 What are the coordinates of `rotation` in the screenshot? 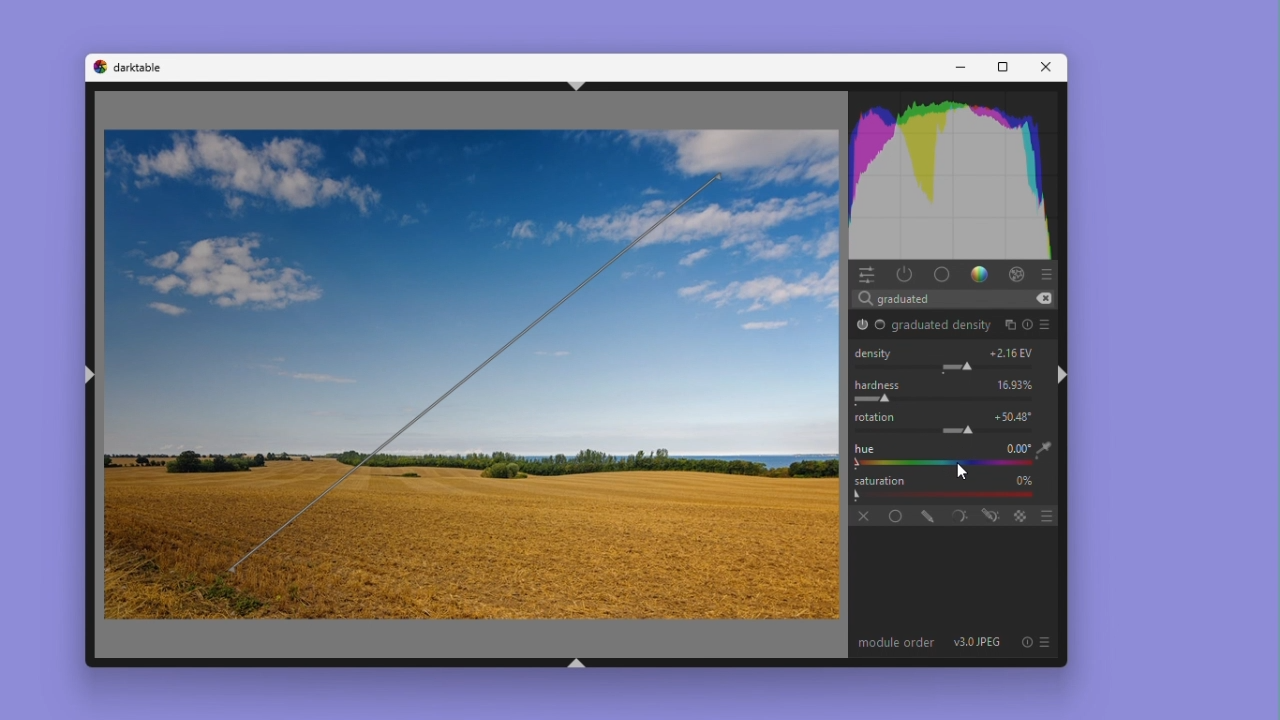 It's located at (877, 417).